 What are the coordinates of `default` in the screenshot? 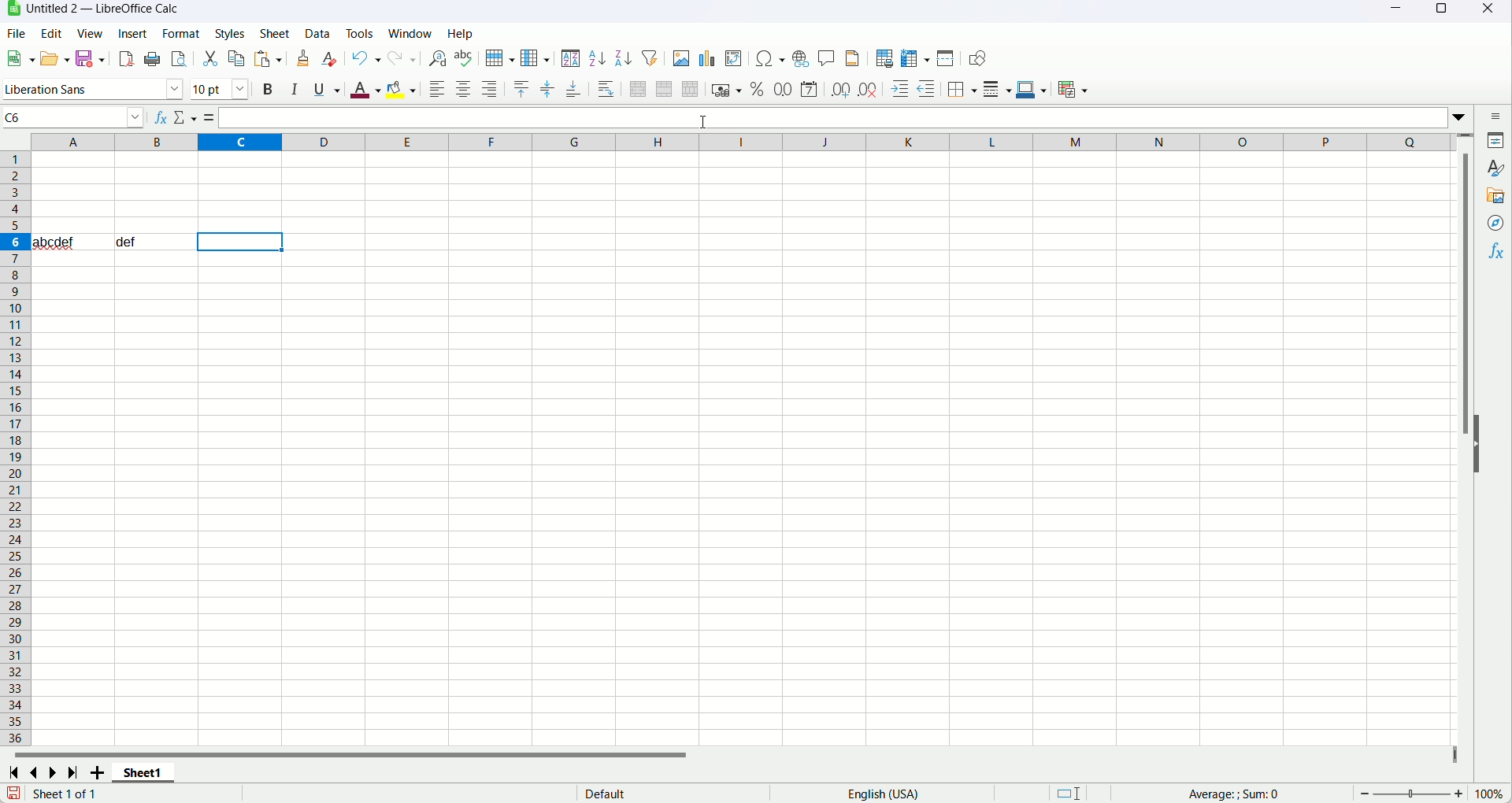 It's located at (604, 793).